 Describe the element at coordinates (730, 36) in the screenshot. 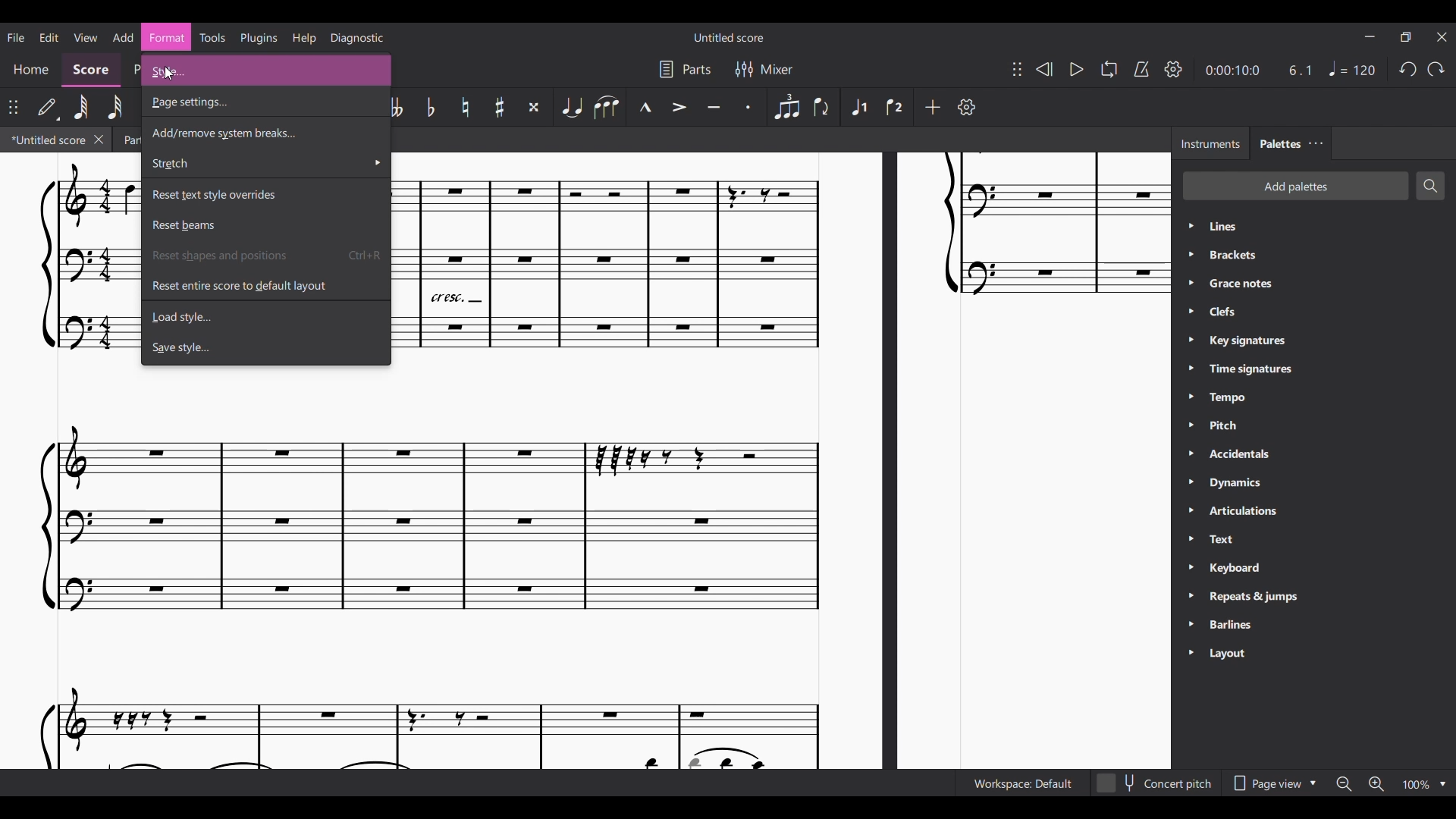

I see `Score name` at that location.